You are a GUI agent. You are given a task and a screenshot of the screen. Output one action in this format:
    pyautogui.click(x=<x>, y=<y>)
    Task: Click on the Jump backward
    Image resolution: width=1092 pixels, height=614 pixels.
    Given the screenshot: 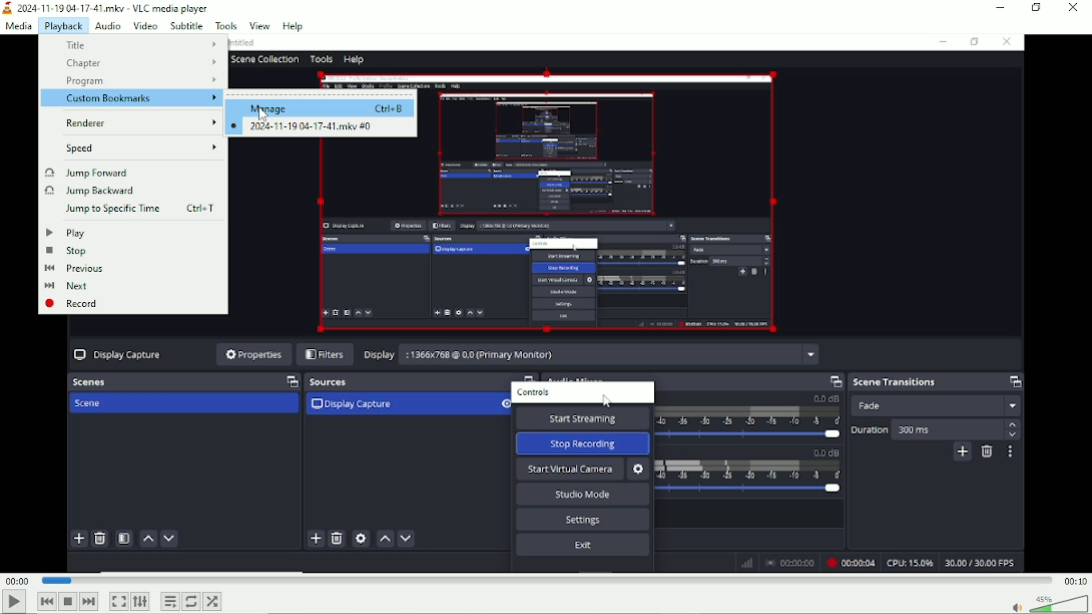 What is the action you would take?
    pyautogui.click(x=89, y=191)
    